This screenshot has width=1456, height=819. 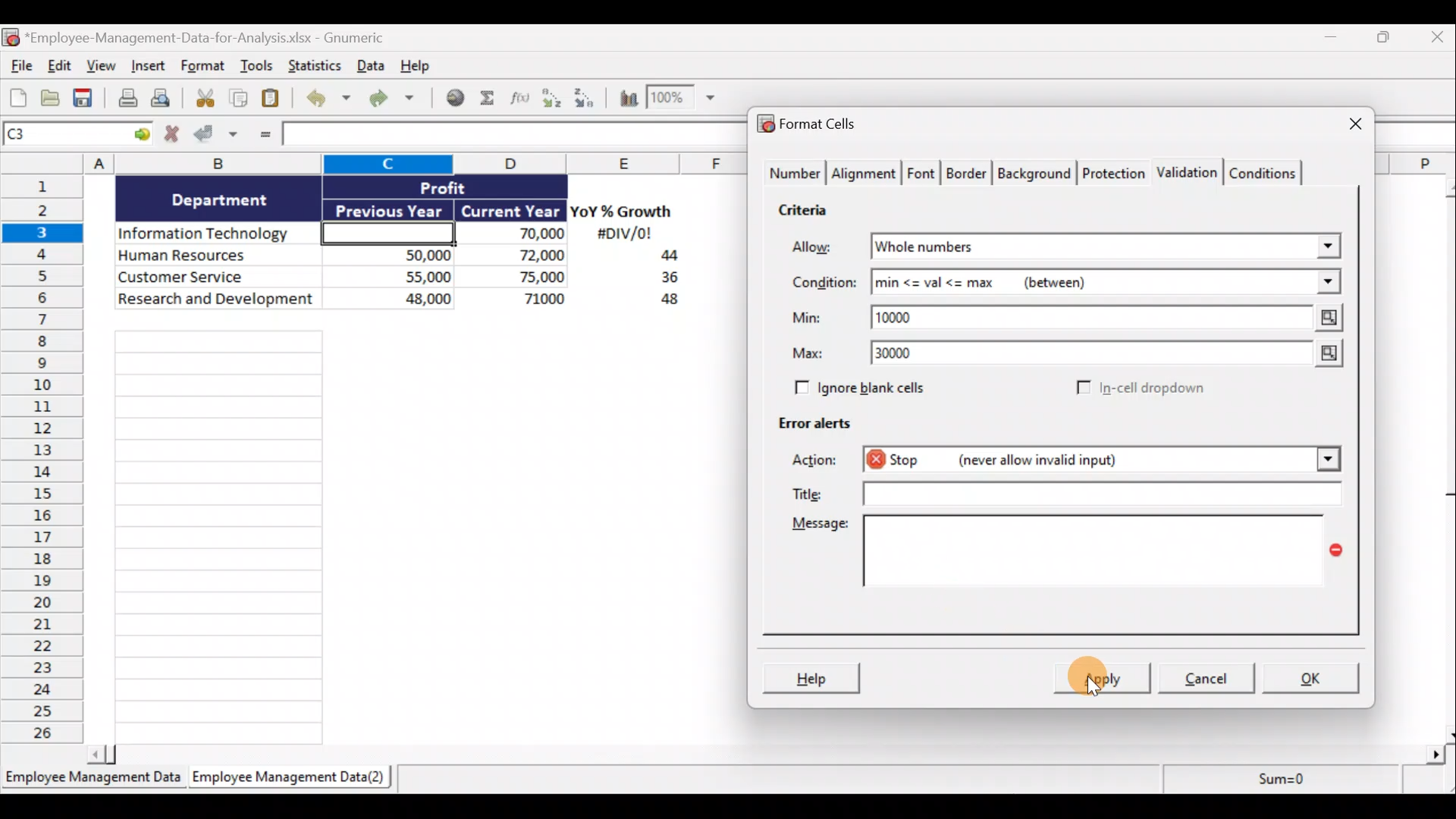 I want to click on In-cell dropdown, so click(x=1139, y=389).